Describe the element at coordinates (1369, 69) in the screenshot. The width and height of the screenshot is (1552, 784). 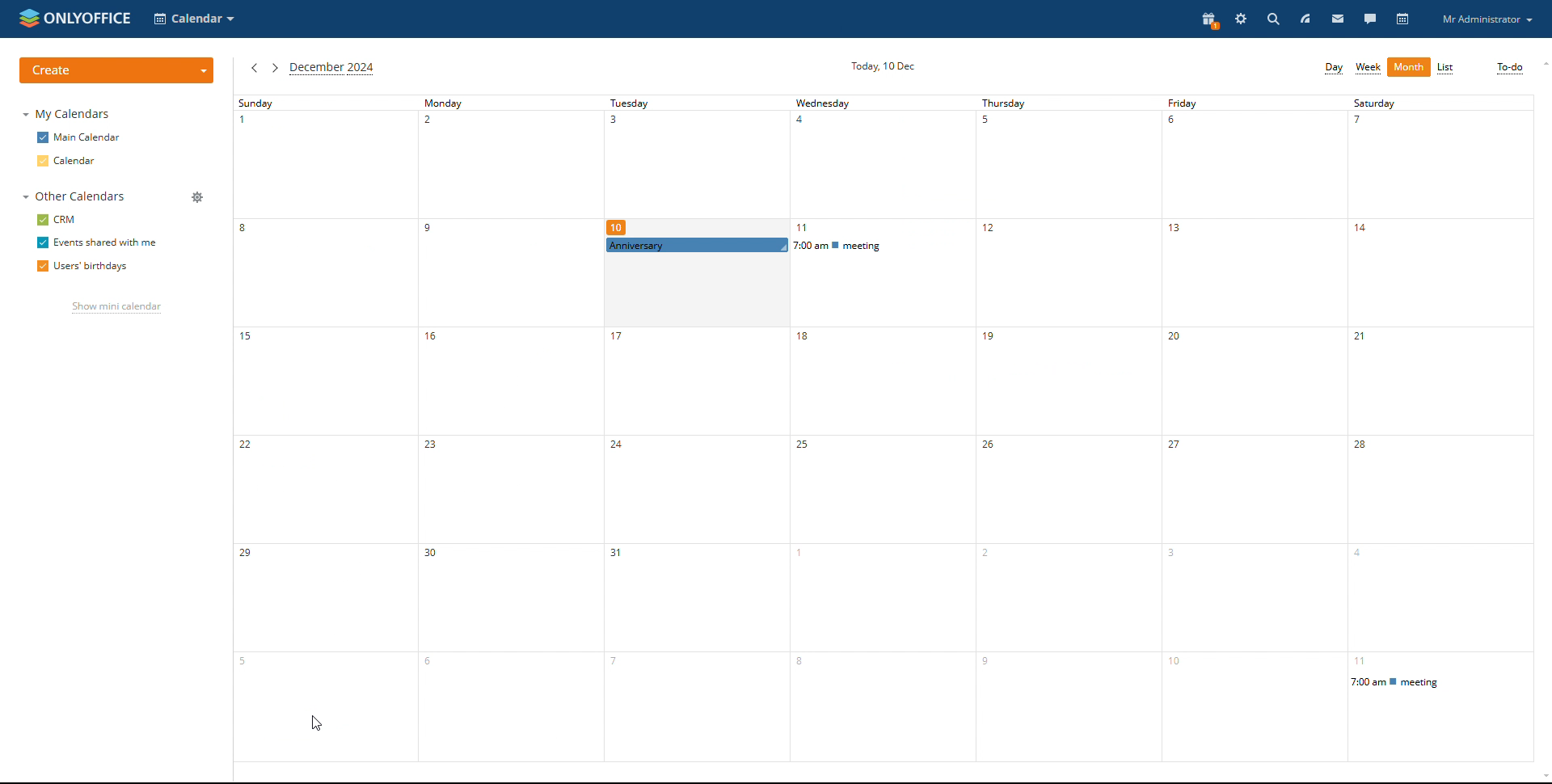
I see `week view` at that location.